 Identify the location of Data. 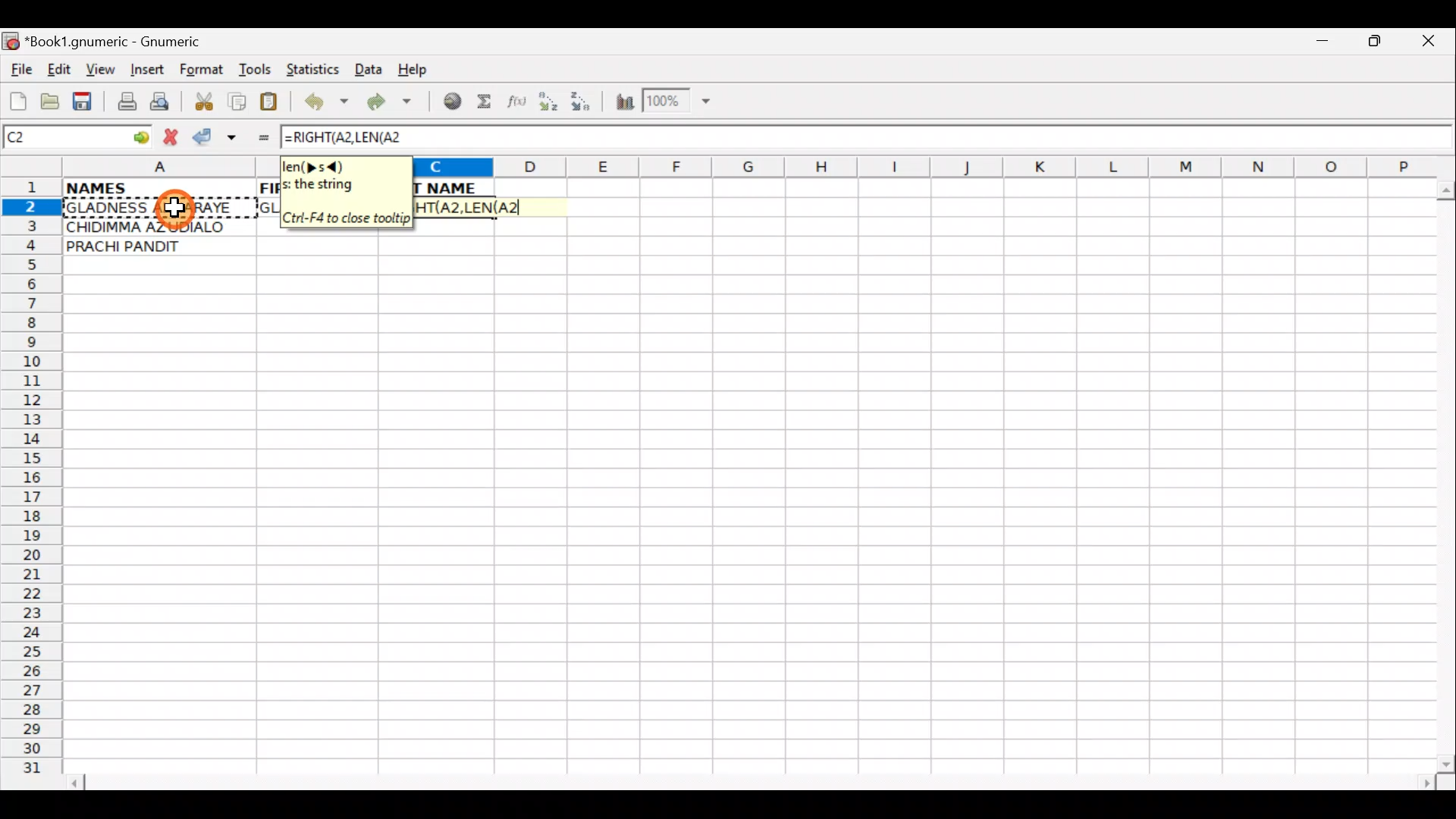
(368, 68).